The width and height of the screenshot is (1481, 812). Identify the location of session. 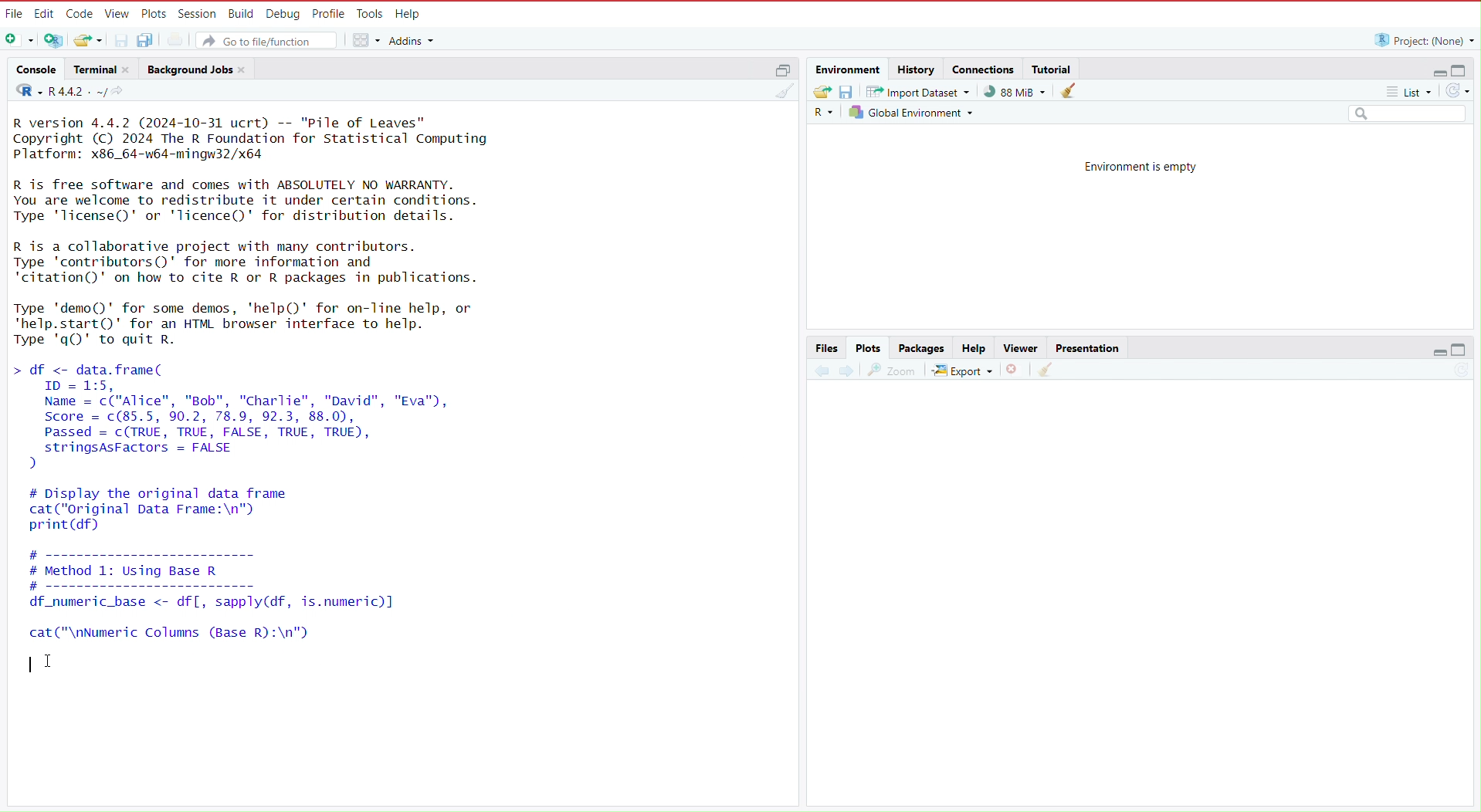
(197, 12).